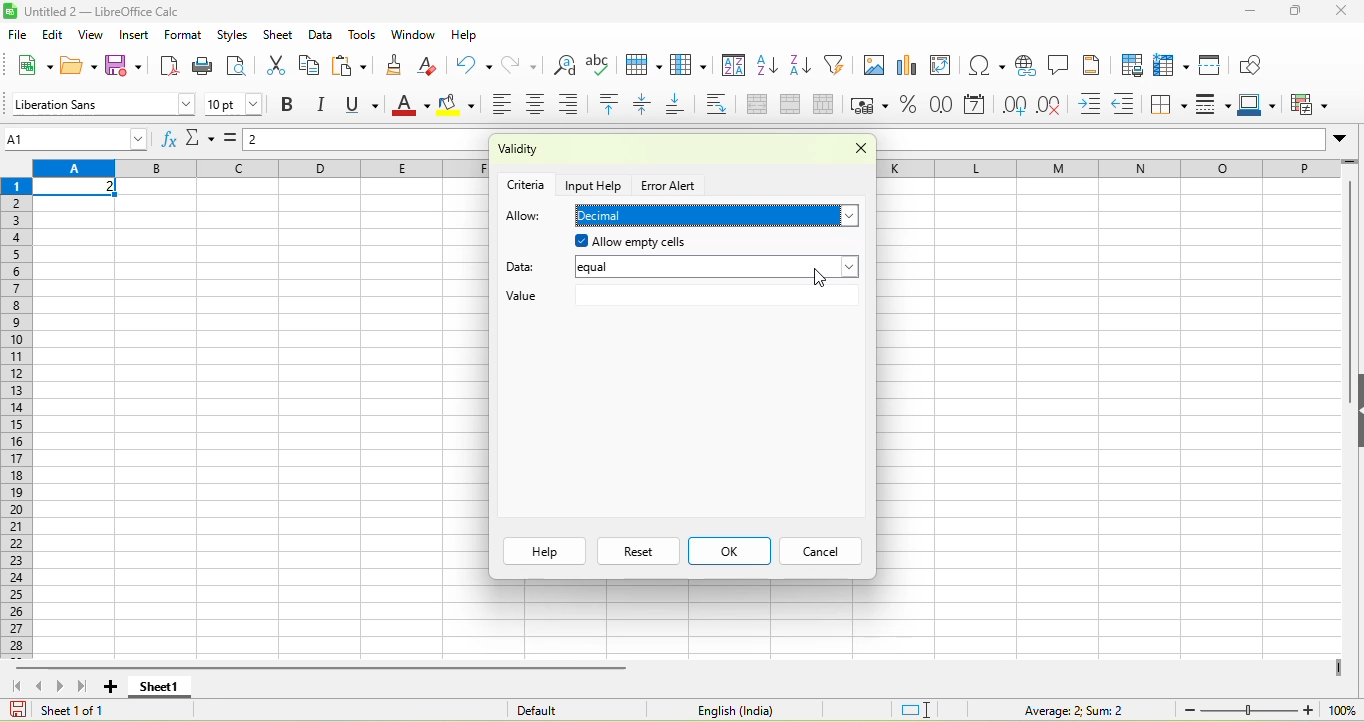 The image size is (1364, 722). Describe the element at coordinates (400, 64) in the screenshot. I see `clone formatting` at that location.